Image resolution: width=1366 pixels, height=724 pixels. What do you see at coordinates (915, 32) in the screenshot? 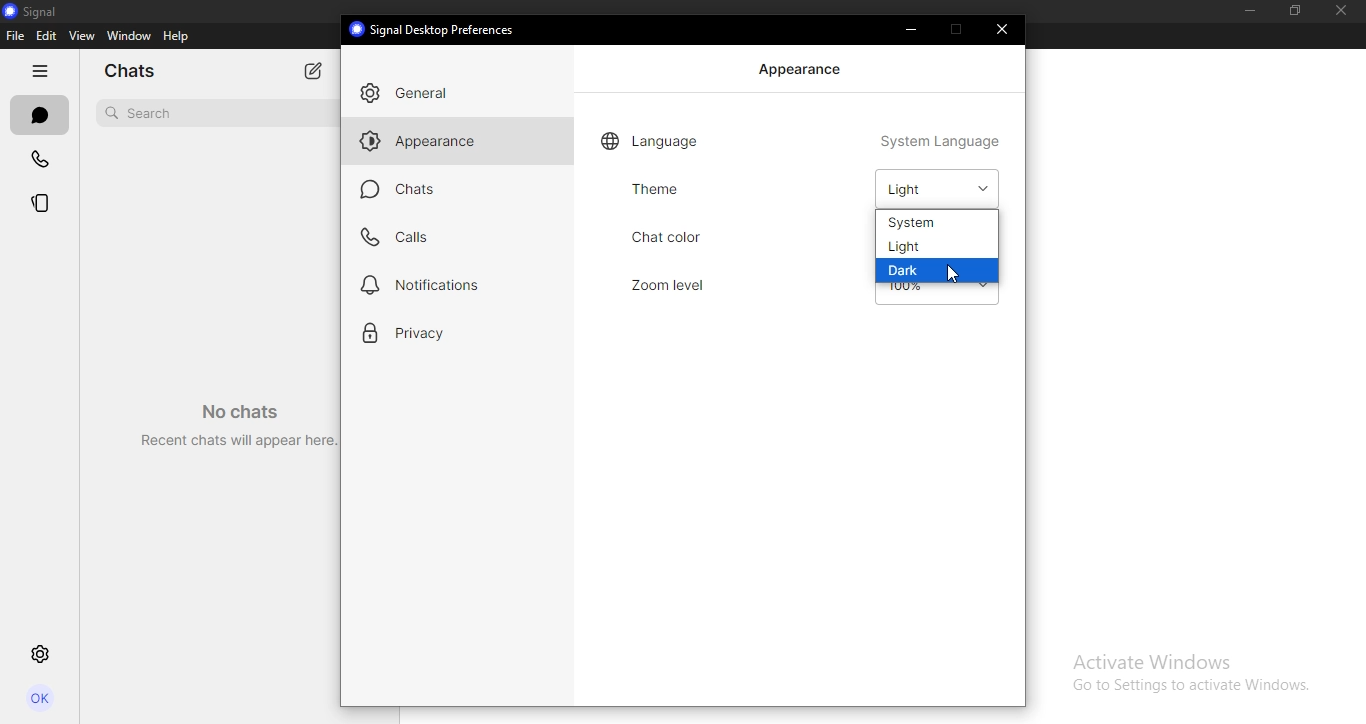
I see `minimize` at bounding box center [915, 32].